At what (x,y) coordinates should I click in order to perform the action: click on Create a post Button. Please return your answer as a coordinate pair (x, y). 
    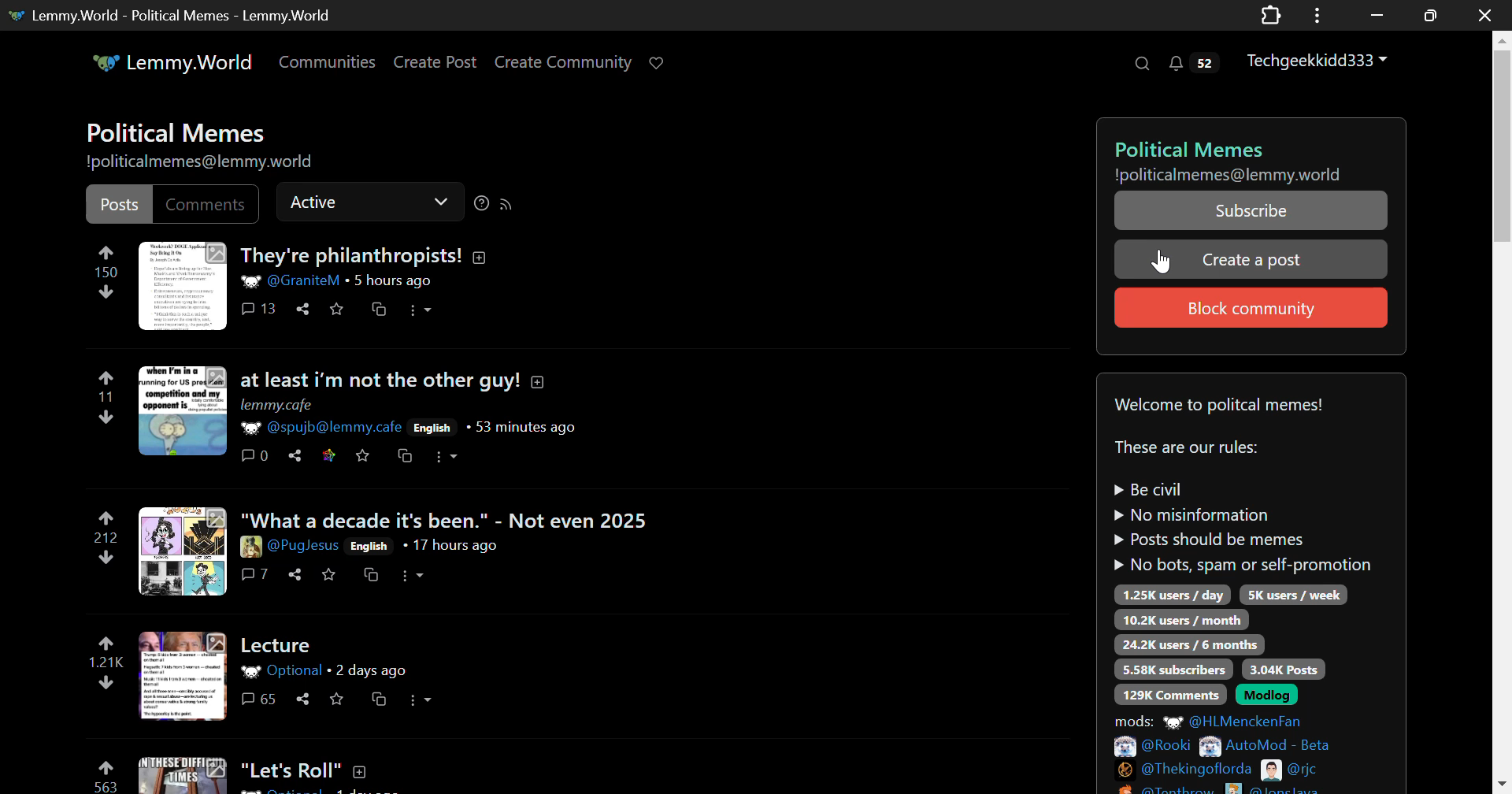
    Looking at the image, I should click on (1252, 258).